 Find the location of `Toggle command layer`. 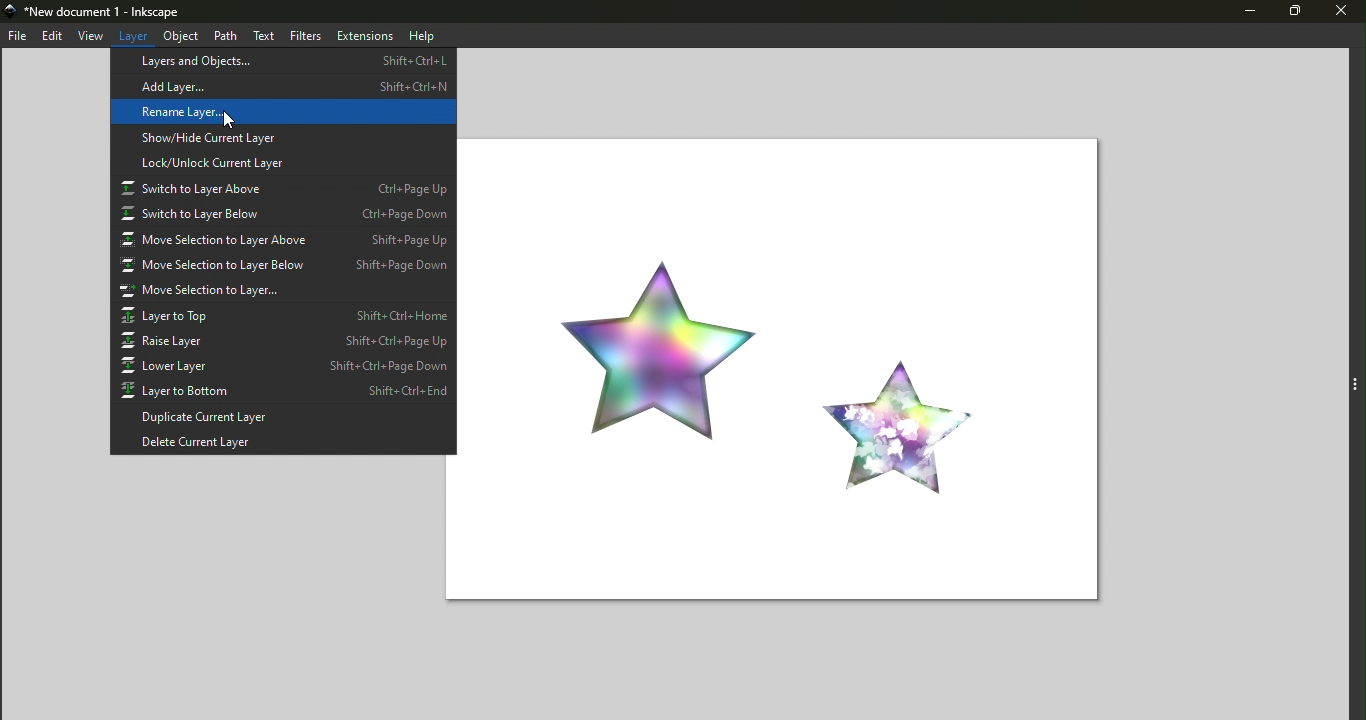

Toggle command layer is located at coordinates (1355, 381).